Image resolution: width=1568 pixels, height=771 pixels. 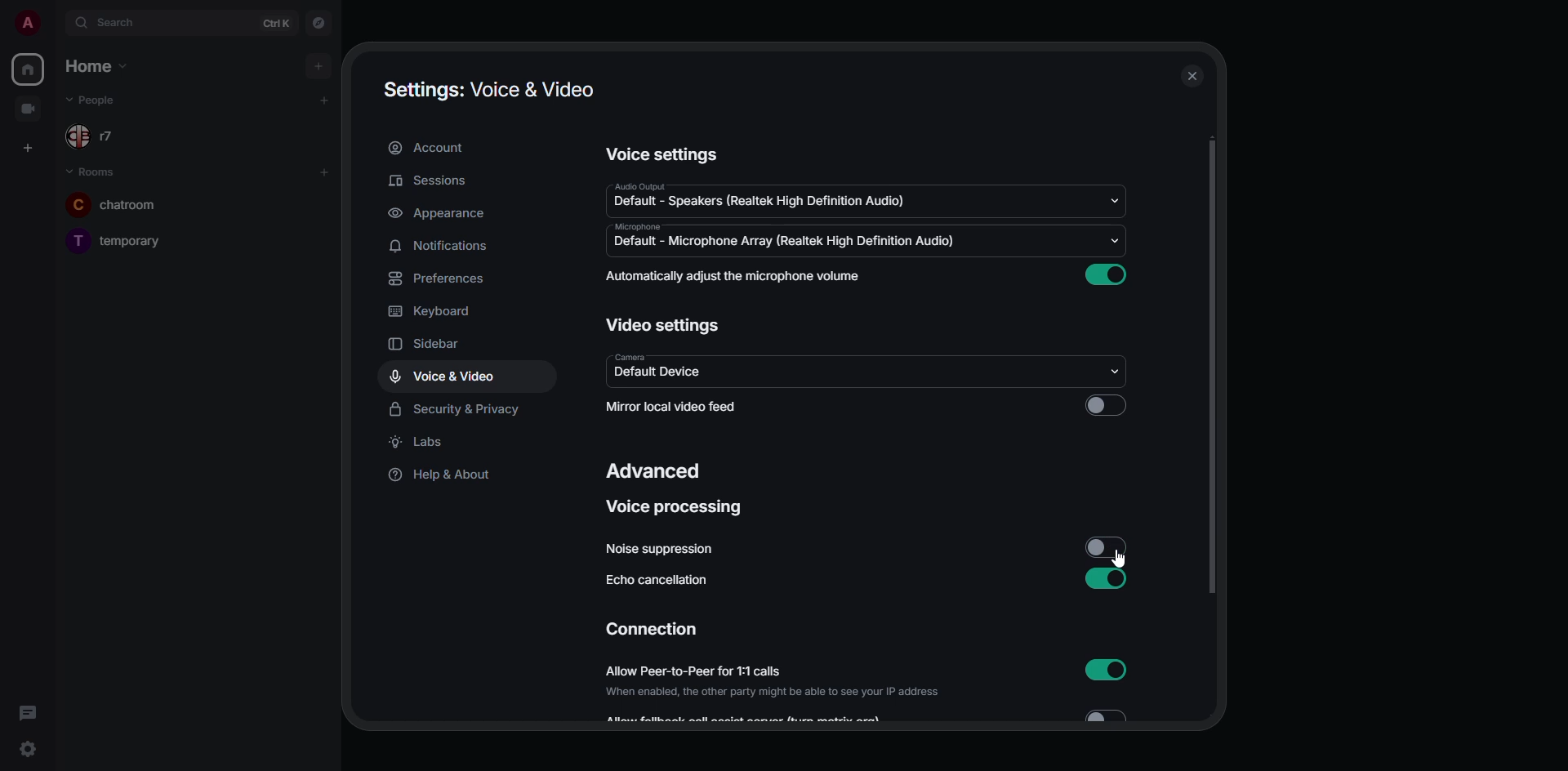 What do you see at coordinates (677, 408) in the screenshot?
I see `mirror local video feed` at bounding box center [677, 408].